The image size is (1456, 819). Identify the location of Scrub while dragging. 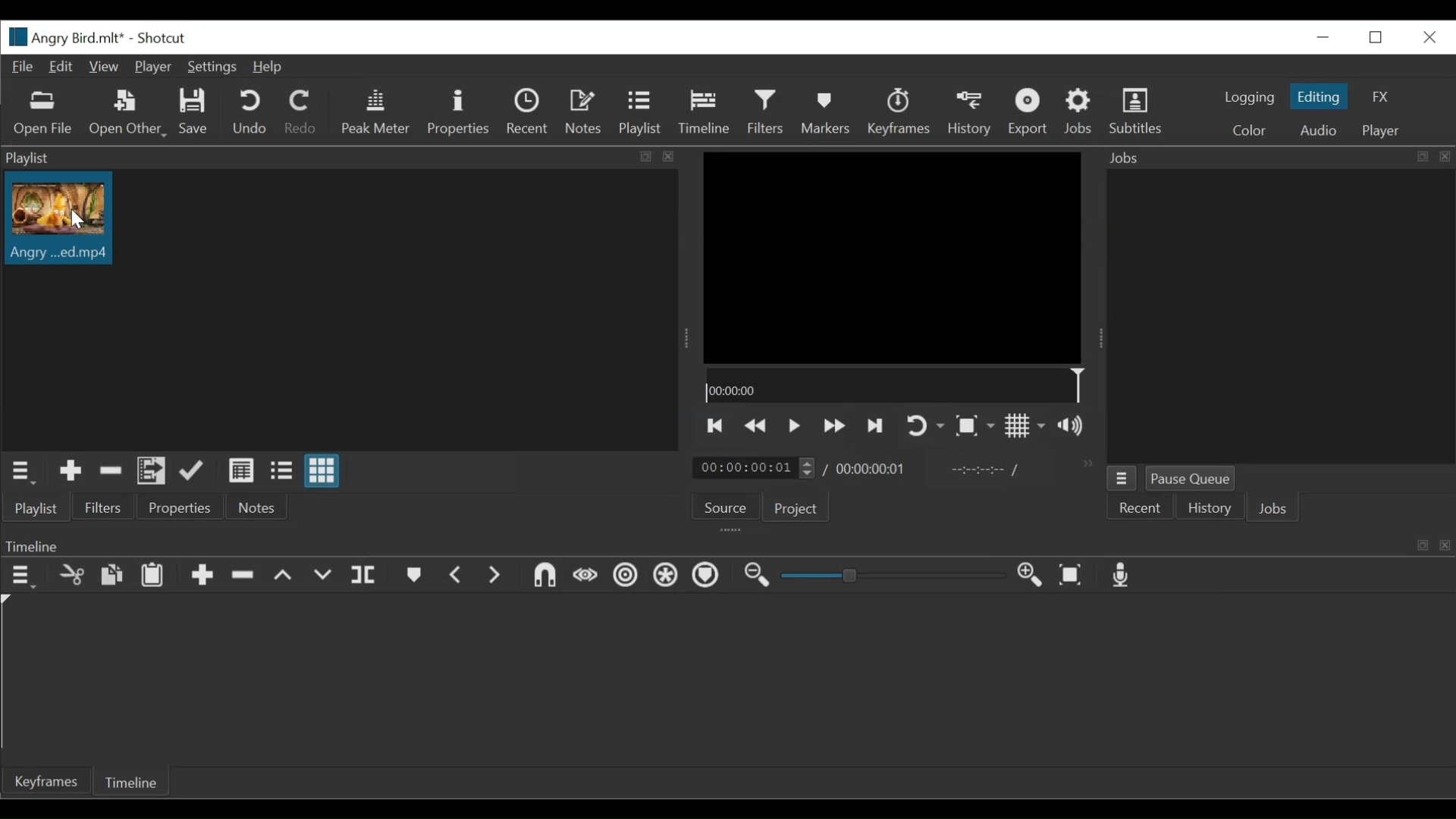
(585, 576).